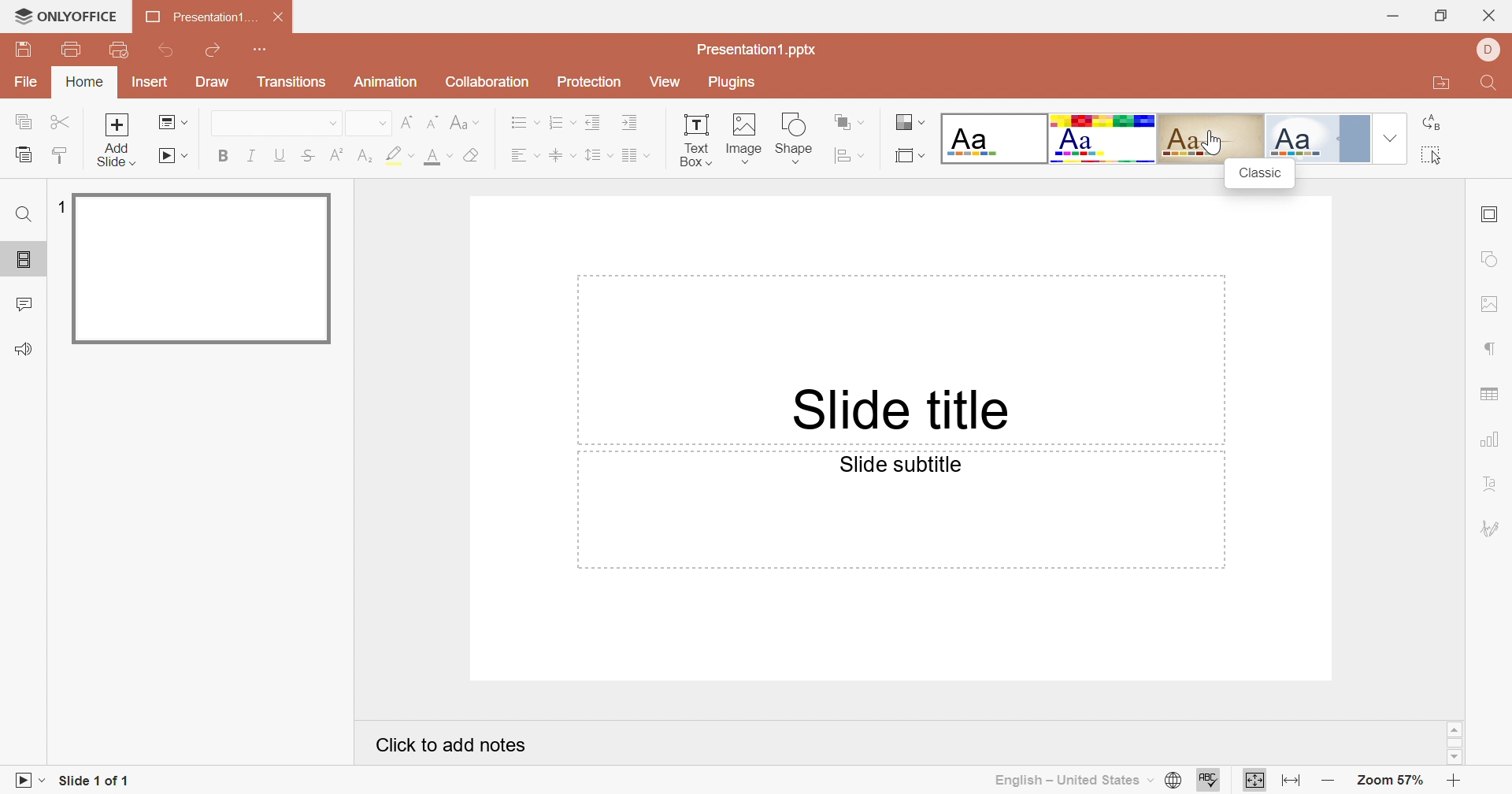 Image resolution: width=1512 pixels, height=794 pixels. What do you see at coordinates (867, 121) in the screenshot?
I see `Drop Down` at bounding box center [867, 121].